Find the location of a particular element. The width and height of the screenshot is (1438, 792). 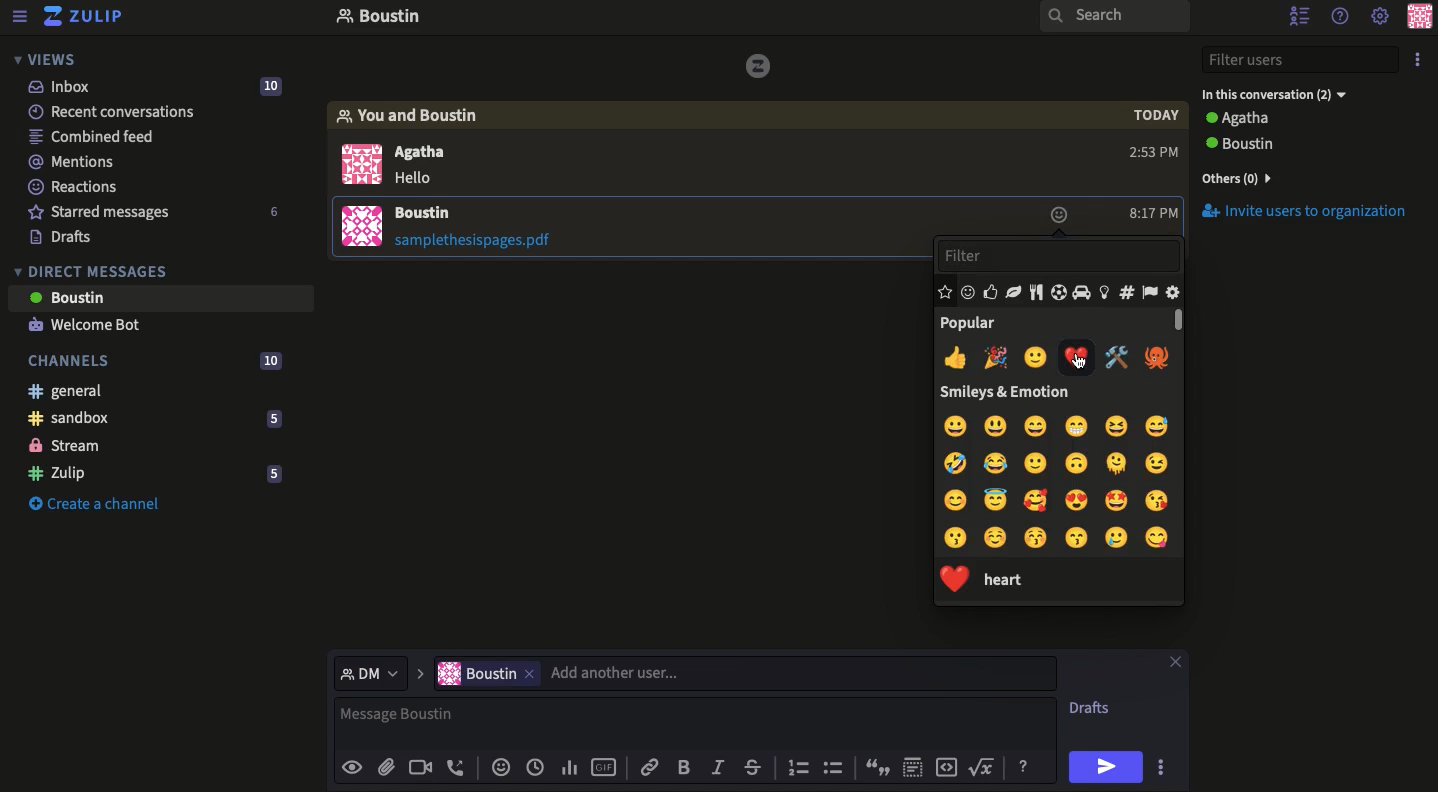

grinning face with smiling is located at coordinates (1078, 426).